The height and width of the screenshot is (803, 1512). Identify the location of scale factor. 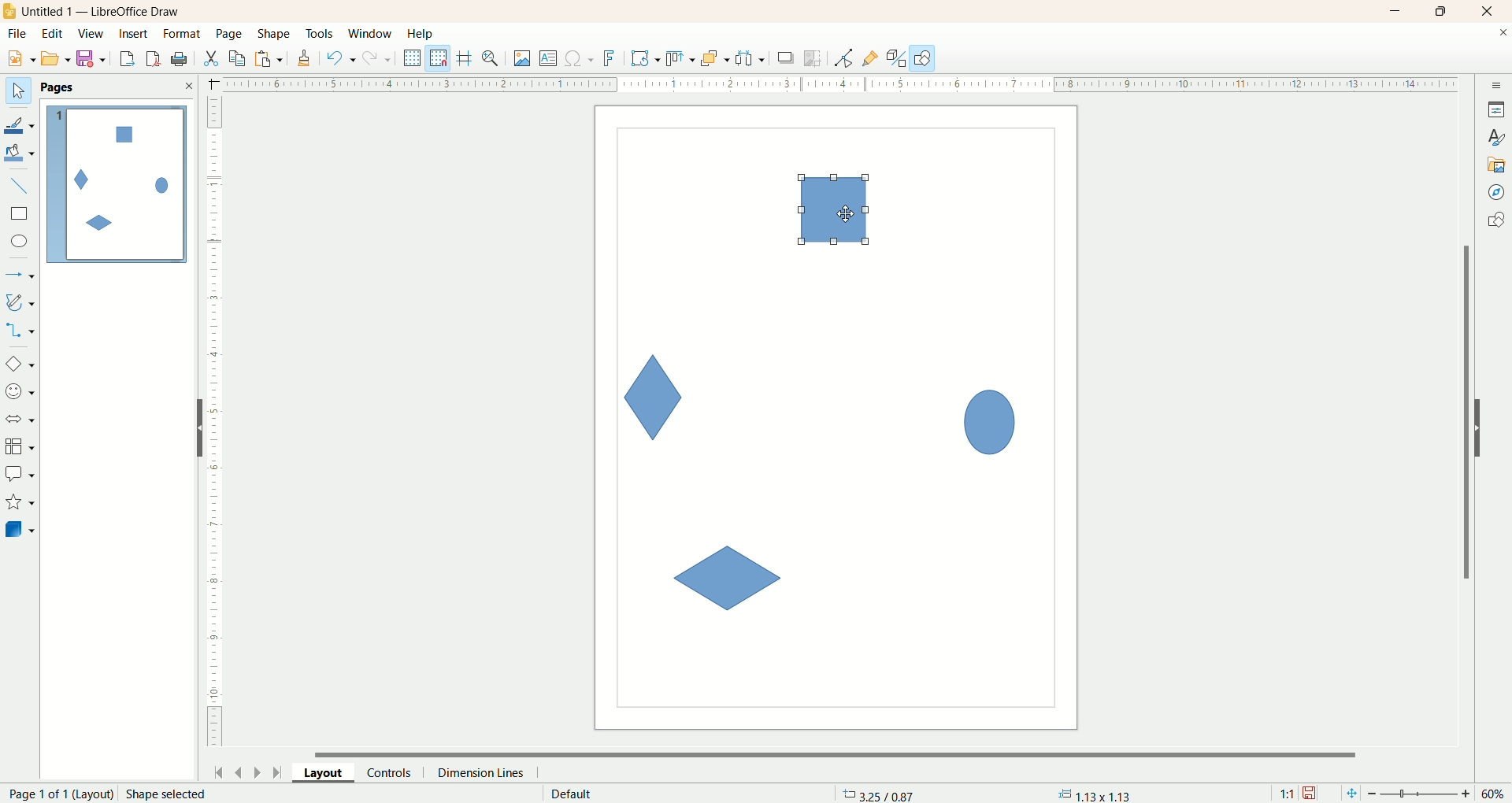
(1287, 794).